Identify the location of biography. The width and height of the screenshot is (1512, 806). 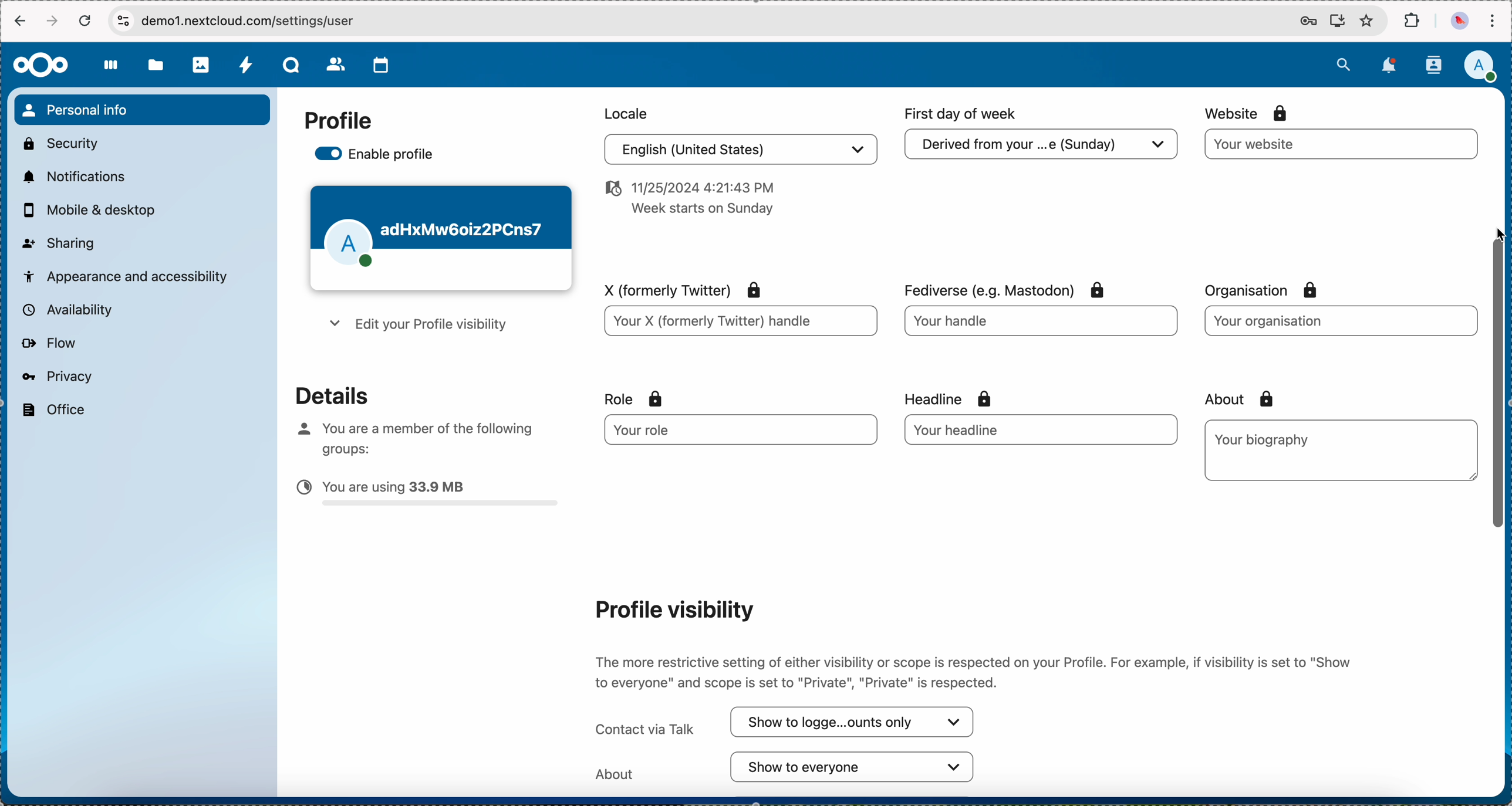
(1265, 439).